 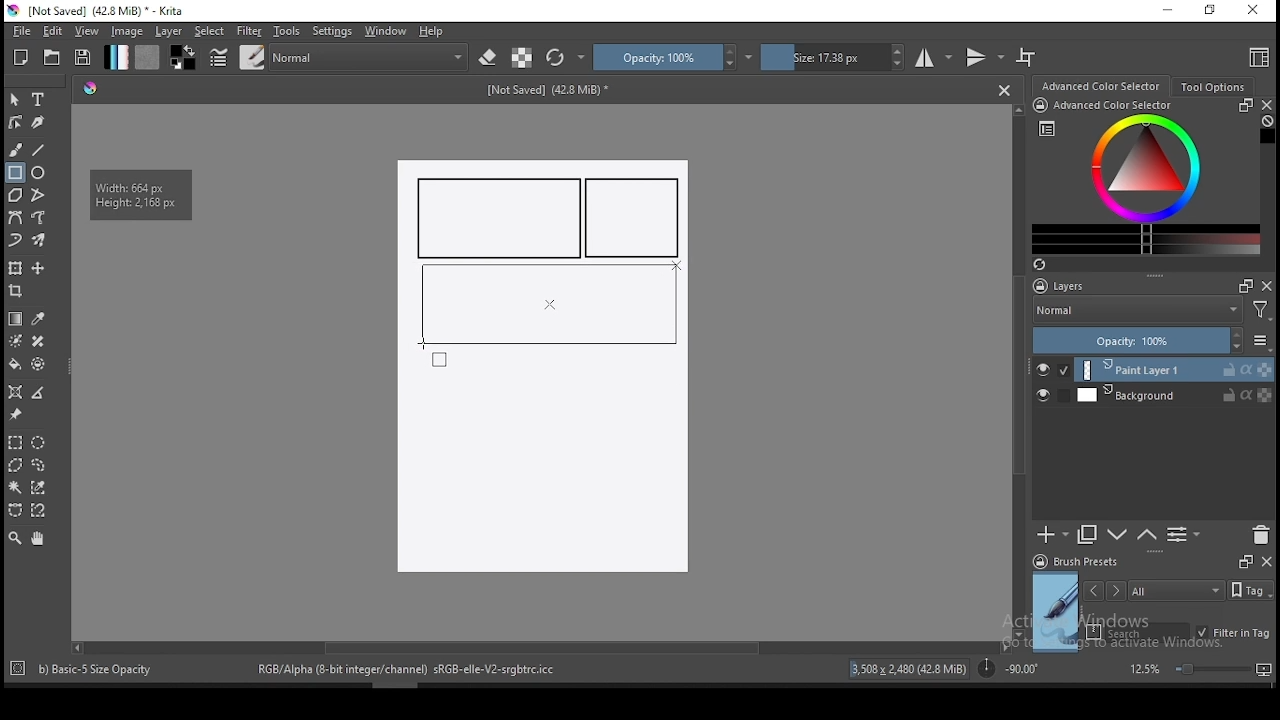 I want to click on layer, so click(x=170, y=31).